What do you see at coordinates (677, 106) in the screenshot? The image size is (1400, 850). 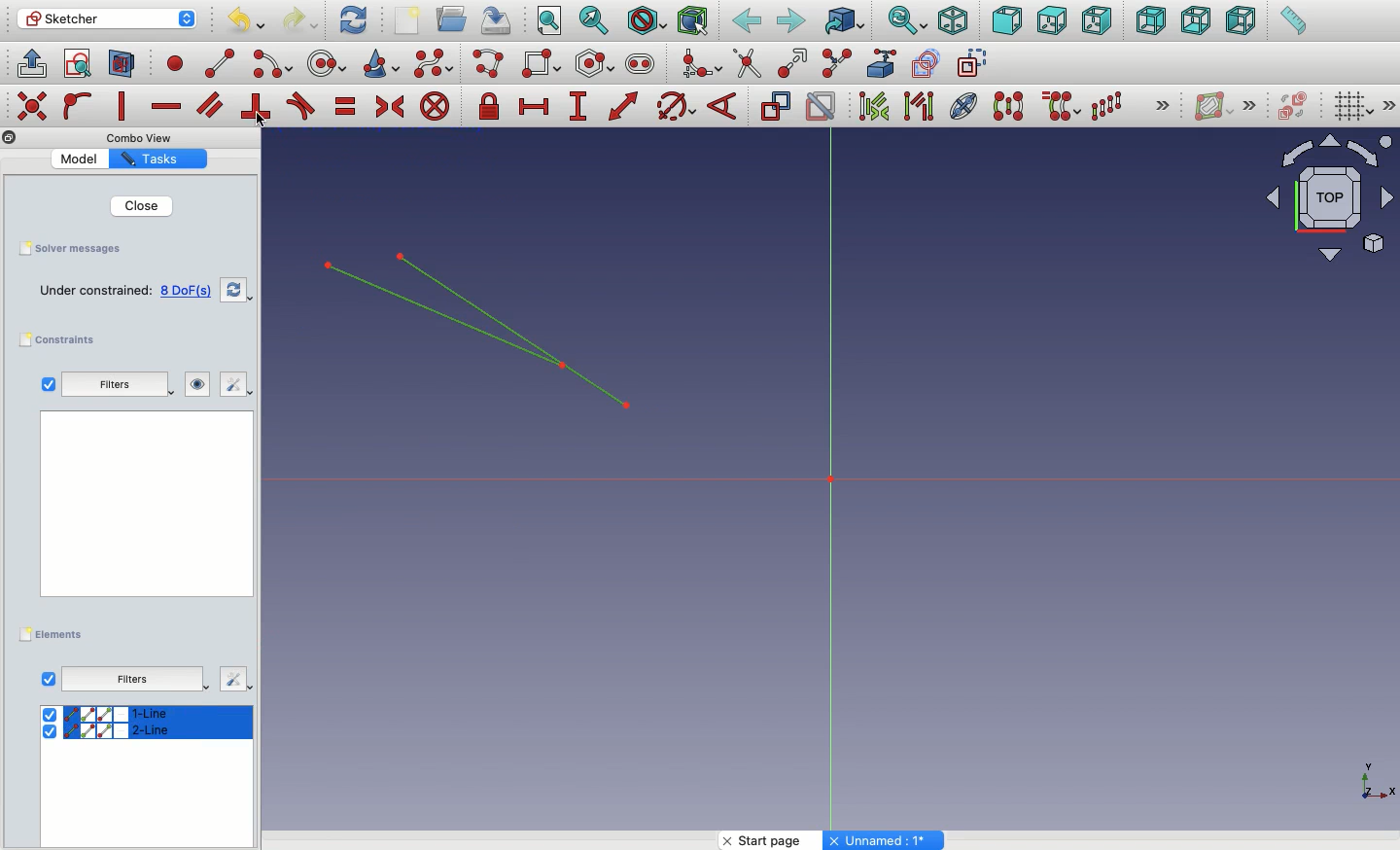 I see `Constrain Circle` at bounding box center [677, 106].